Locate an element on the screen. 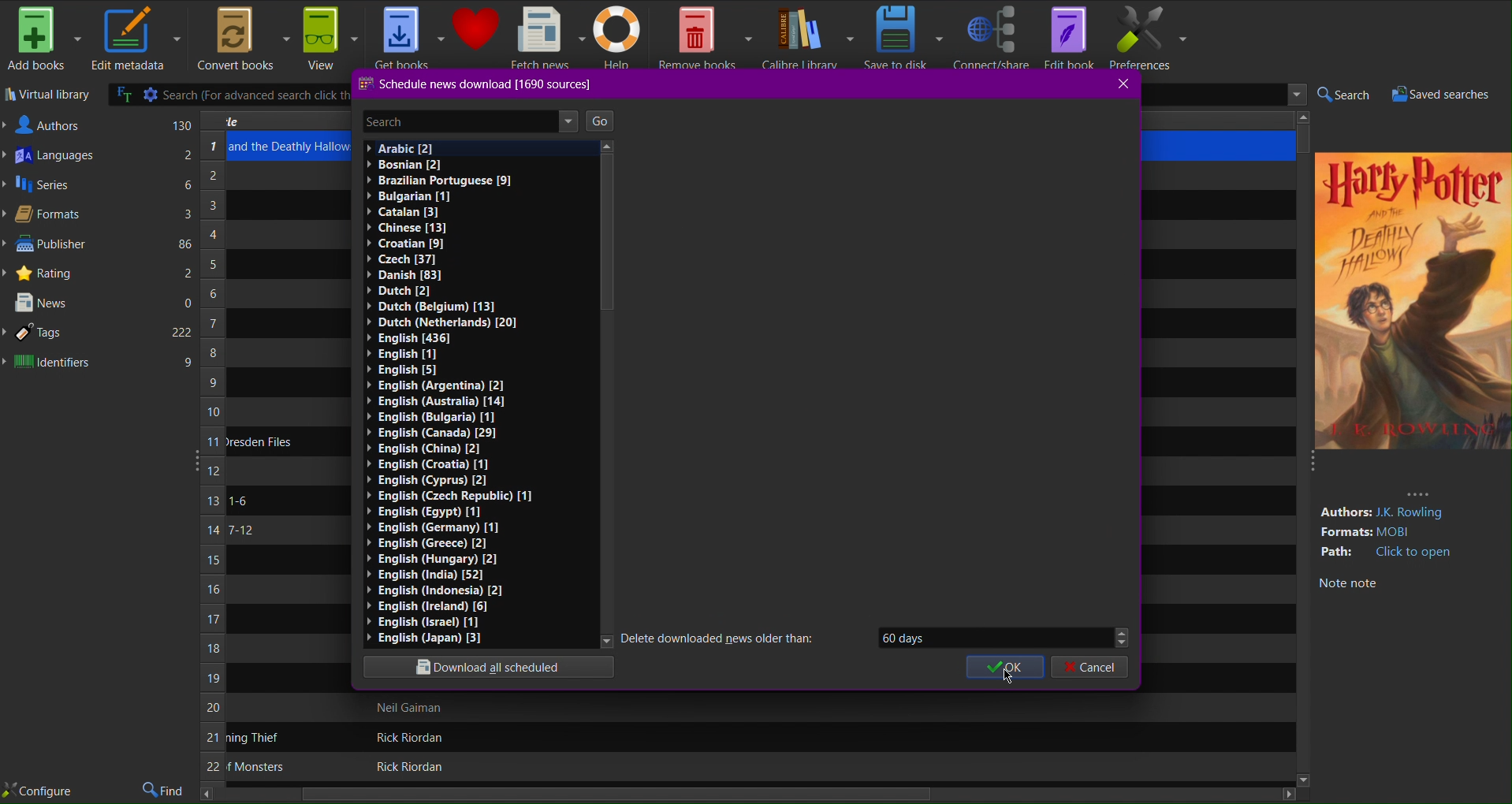 This screenshot has width=1512, height=804. Click to open is located at coordinates (1415, 553).